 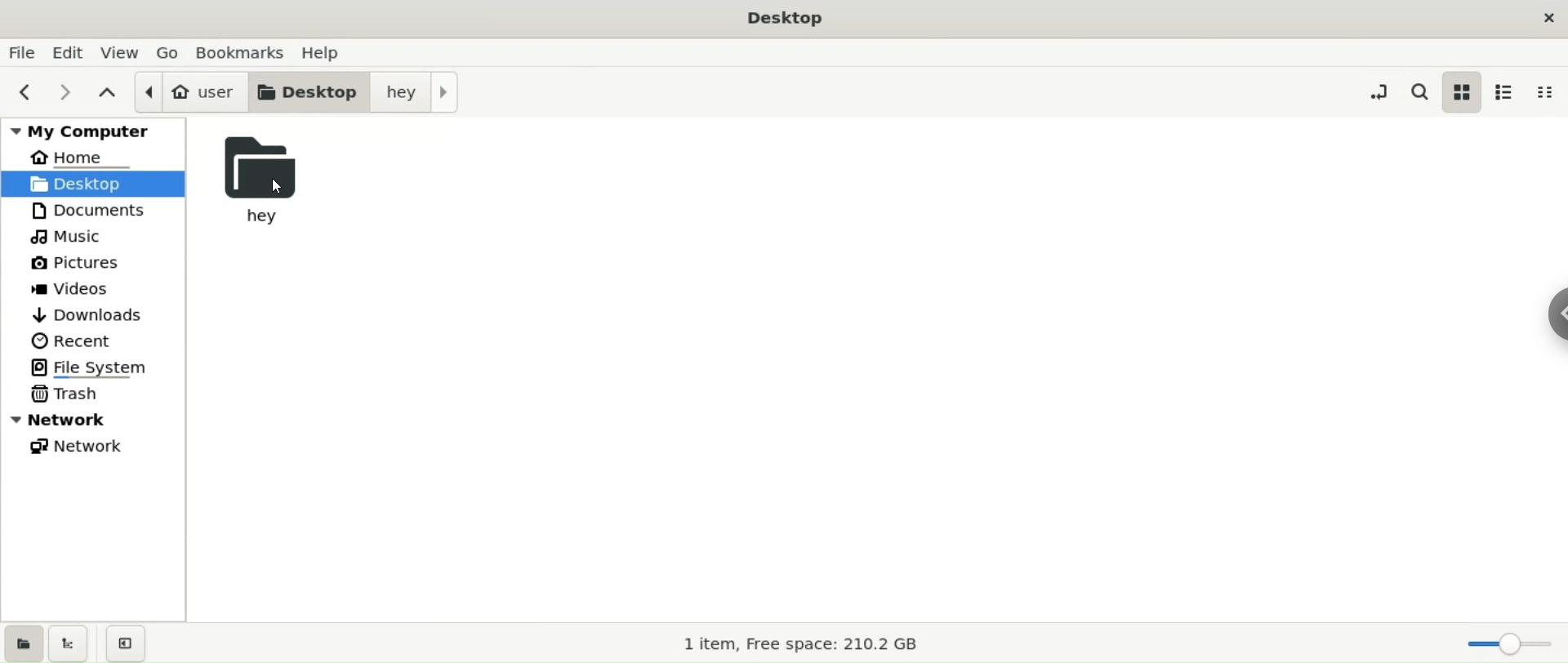 What do you see at coordinates (67, 235) in the screenshot?
I see `music` at bounding box center [67, 235].